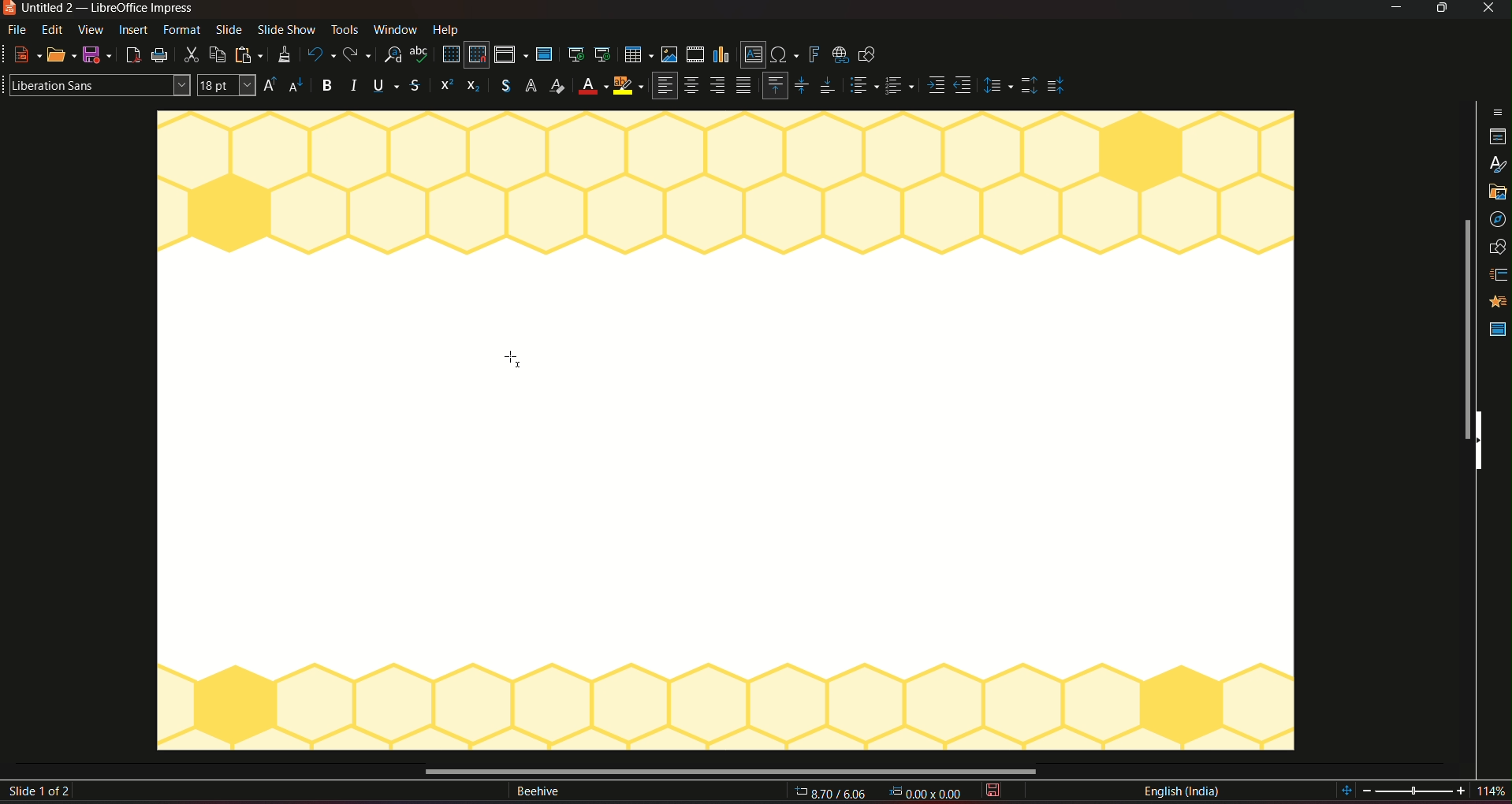 The image size is (1512, 804). Describe the element at coordinates (1463, 328) in the screenshot. I see `vertical scrollbar` at that location.